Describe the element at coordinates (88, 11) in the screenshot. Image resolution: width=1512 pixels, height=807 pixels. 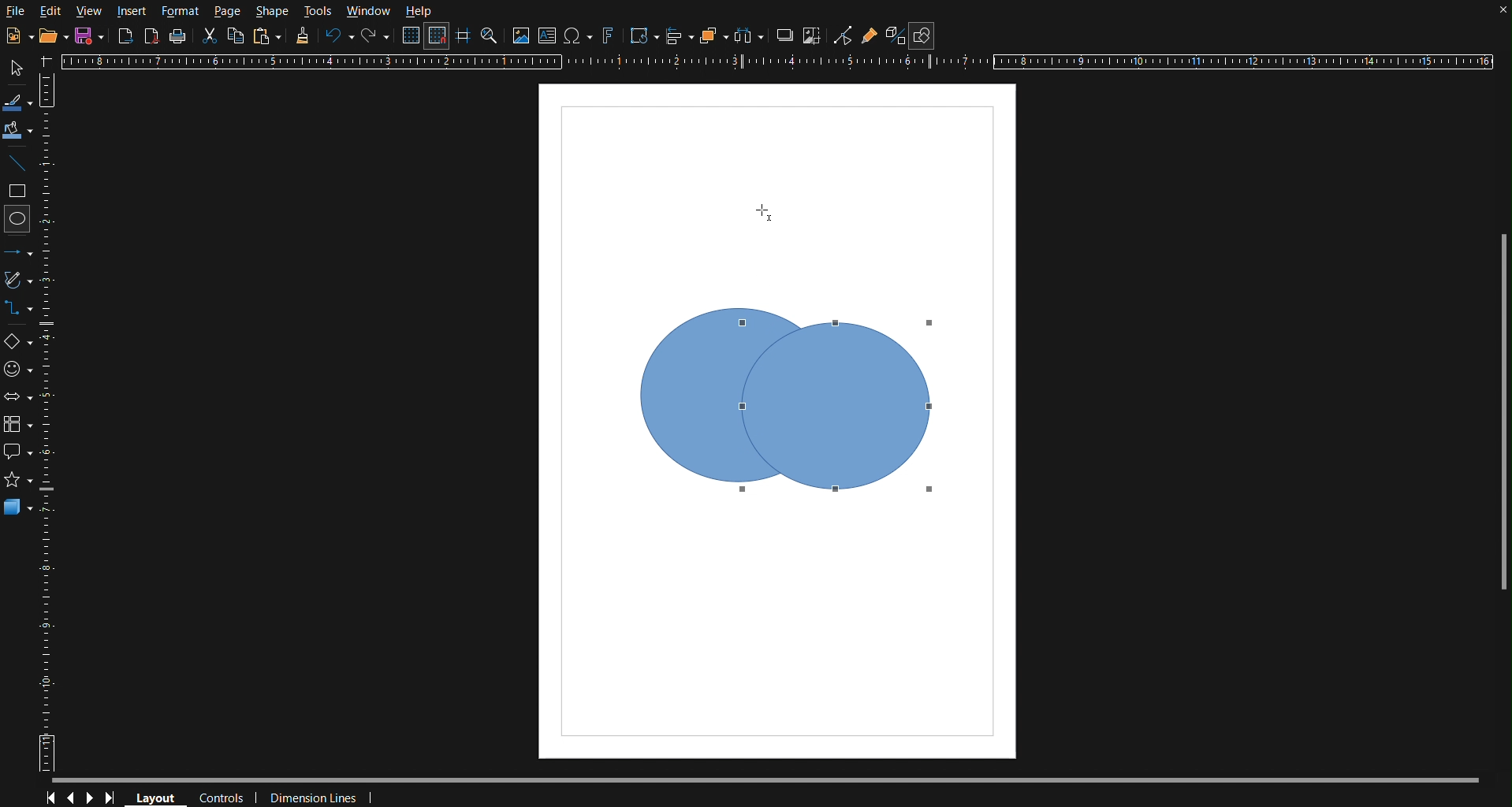
I see `View` at that location.